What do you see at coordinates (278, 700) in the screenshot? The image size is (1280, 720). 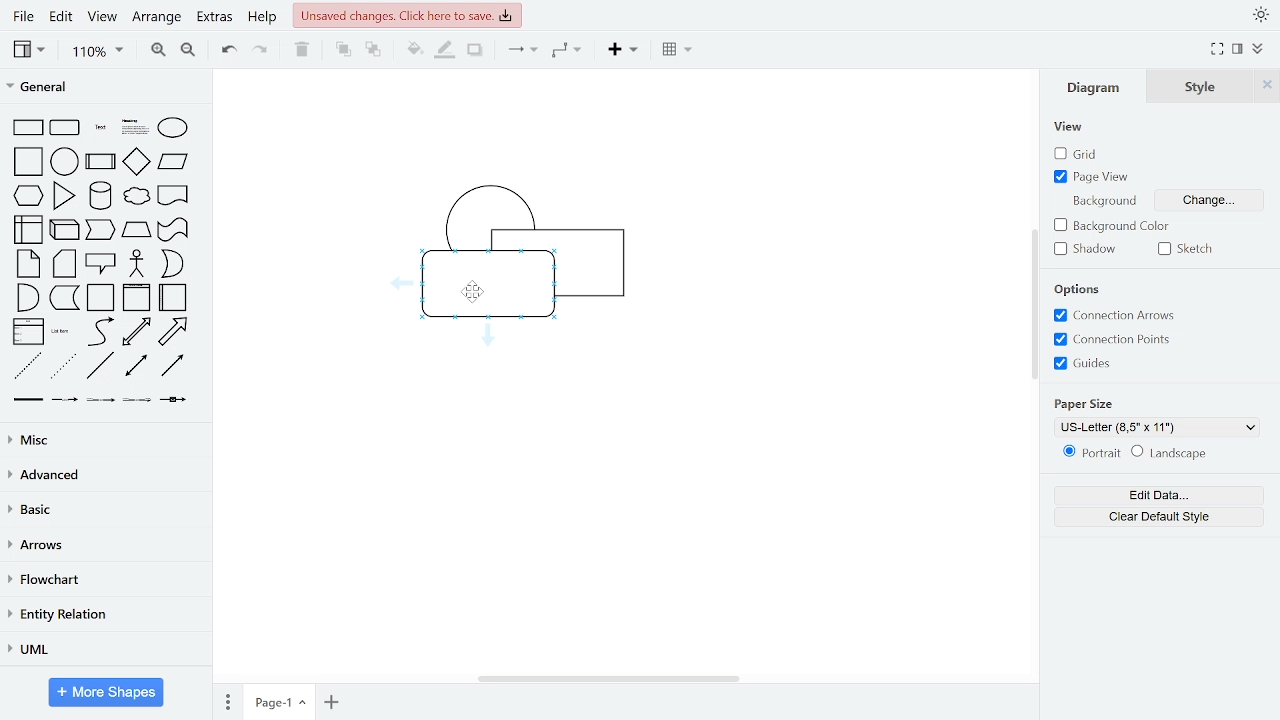 I see `current page` at bounding box center [278, 700].